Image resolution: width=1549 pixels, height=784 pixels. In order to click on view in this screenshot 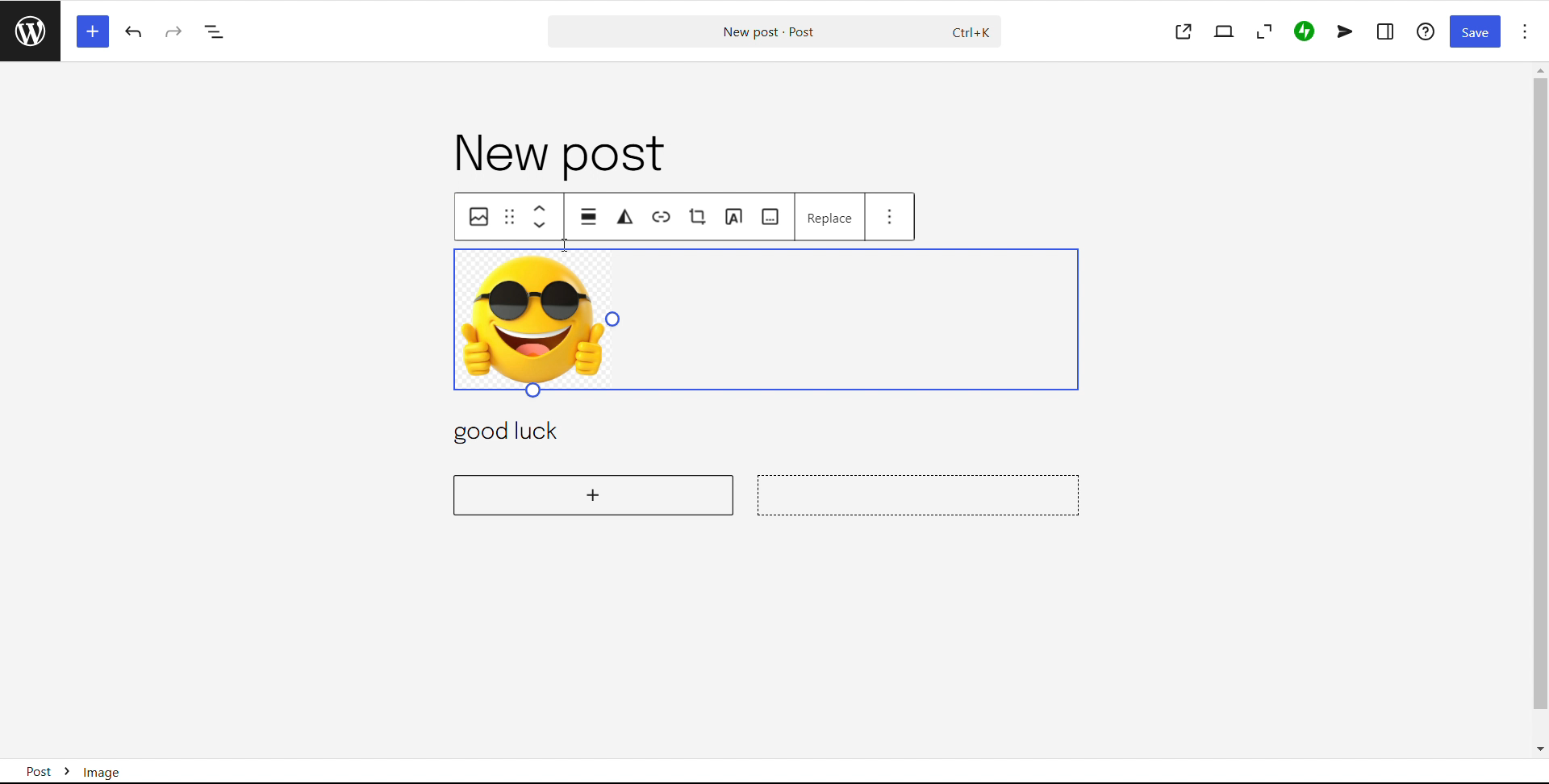, I will do `click(1224, 31)`.